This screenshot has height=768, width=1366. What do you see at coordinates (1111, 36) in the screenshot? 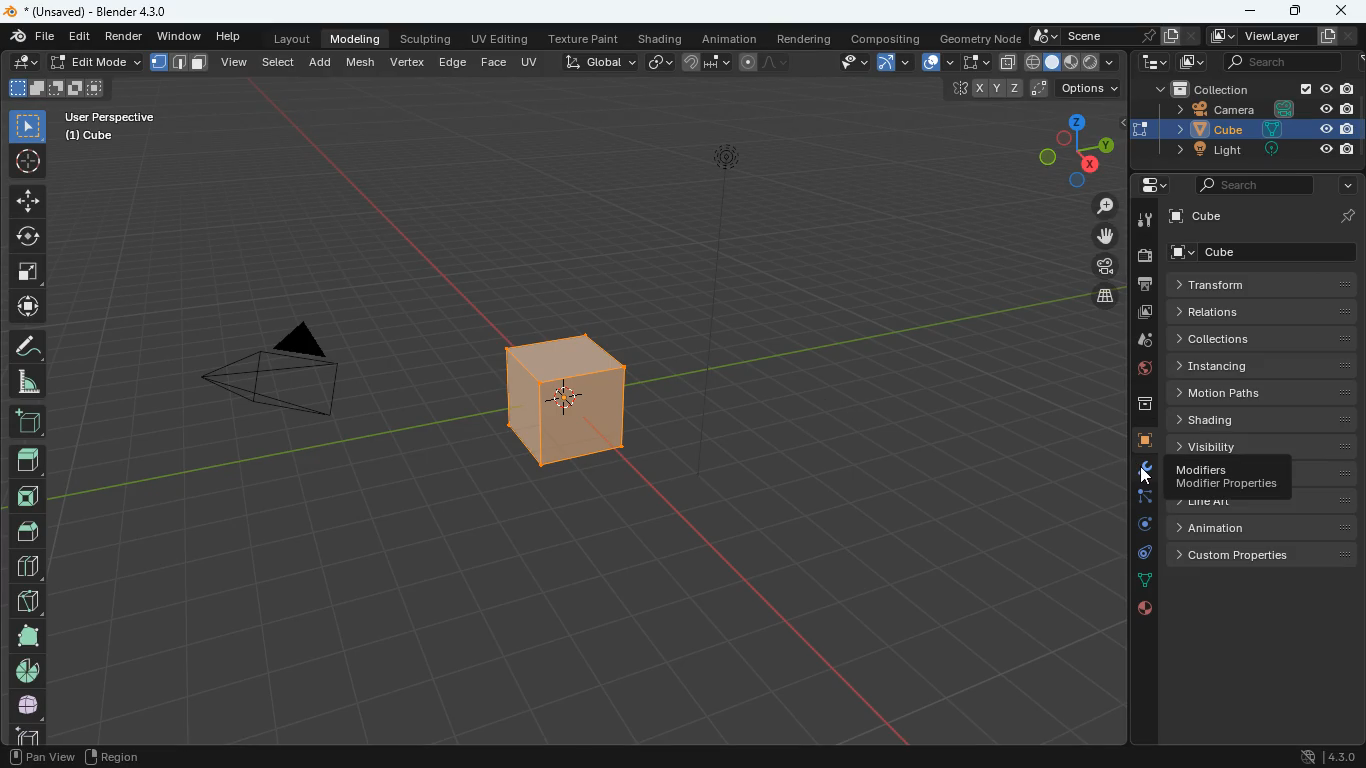
I see `scene` at bounding box center [1111, 36].